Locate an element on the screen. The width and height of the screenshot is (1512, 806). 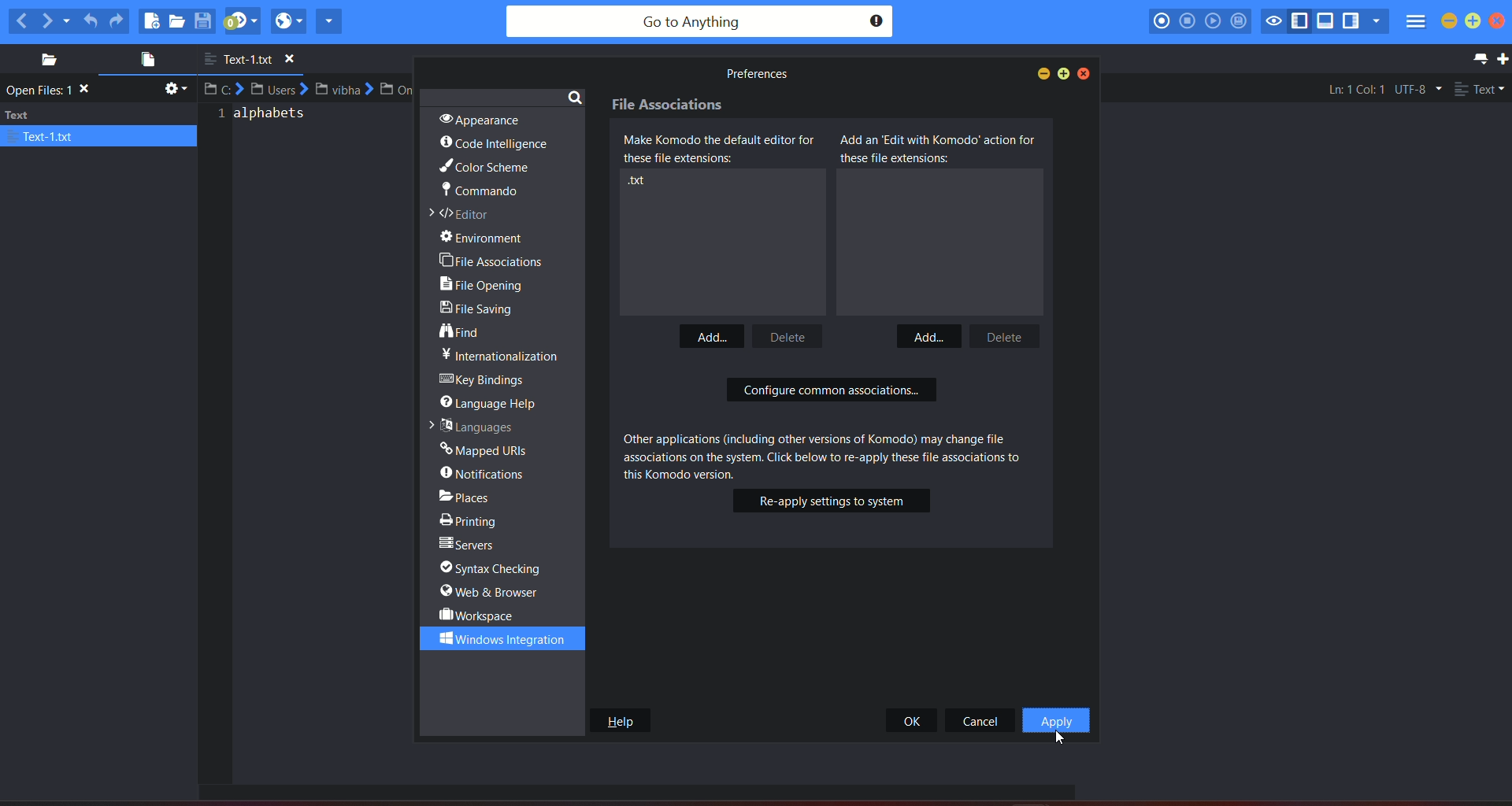
file type is located at coordinates (1480, 91).